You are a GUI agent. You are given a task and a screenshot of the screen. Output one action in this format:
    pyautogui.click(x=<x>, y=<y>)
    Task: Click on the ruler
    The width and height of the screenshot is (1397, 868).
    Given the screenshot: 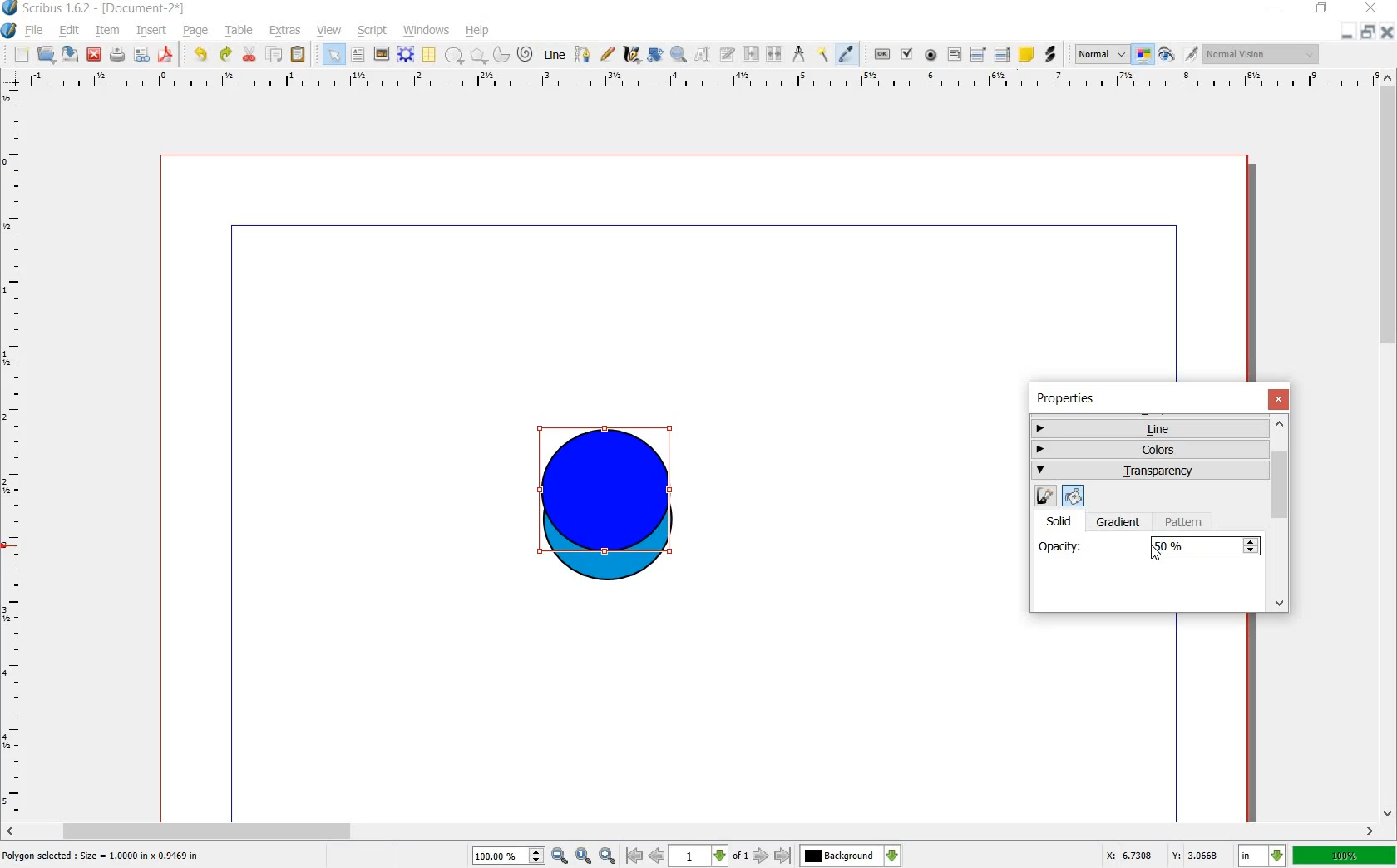 What is the action you would take?
    pyautogui.click(x=13, y=451)
    